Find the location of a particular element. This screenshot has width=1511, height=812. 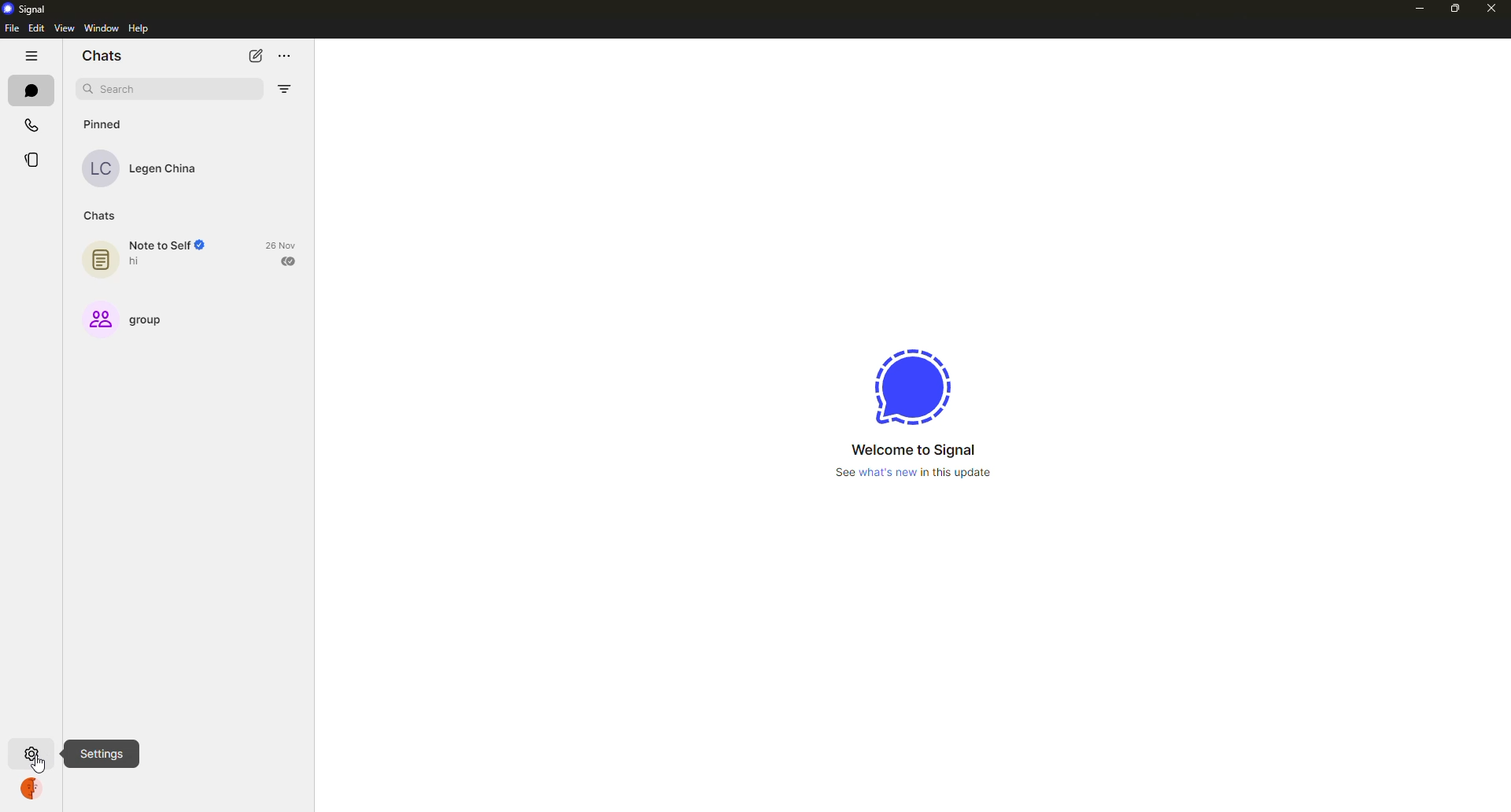

window is located at coordinates (104, 28).